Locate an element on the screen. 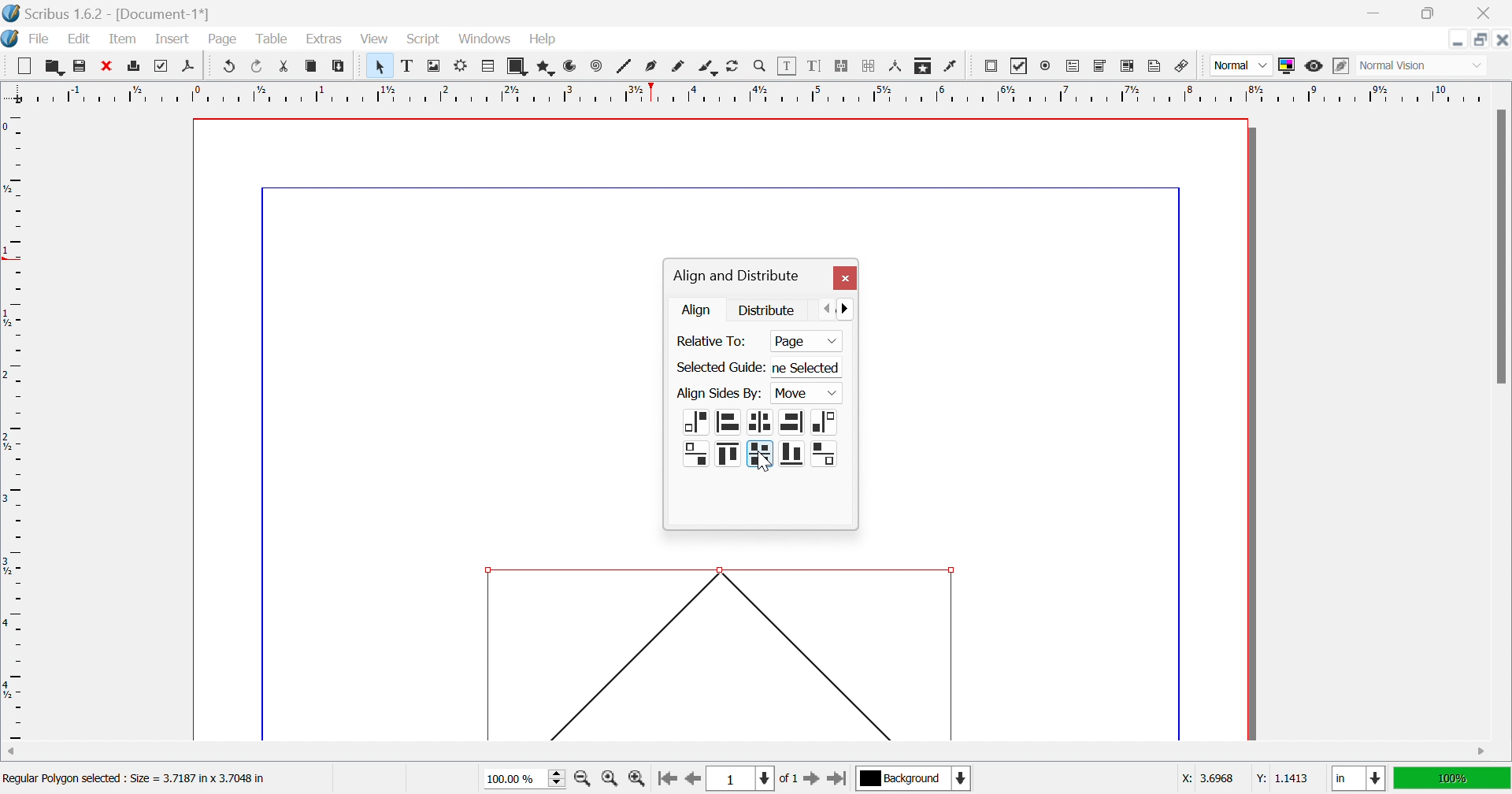 The width and height of the screenshot is (1512, 794). Text frame is located at coordinates (409, 65).